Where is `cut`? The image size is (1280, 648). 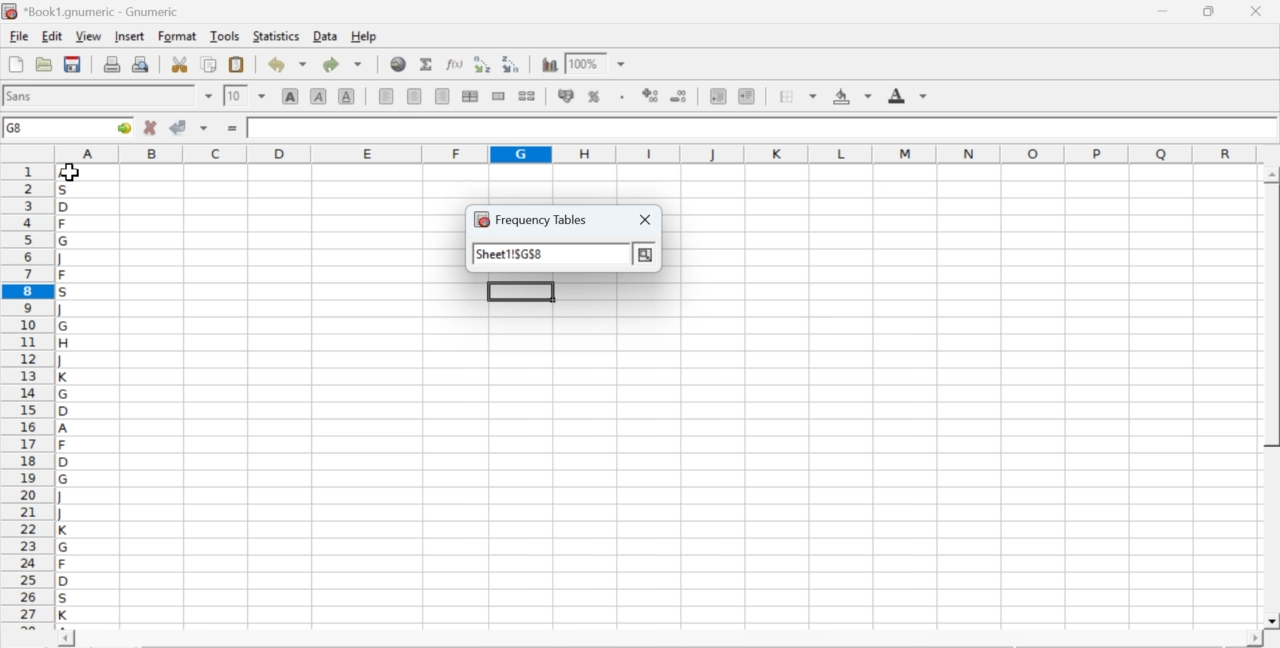
cut is located at coordinates (179, 64).